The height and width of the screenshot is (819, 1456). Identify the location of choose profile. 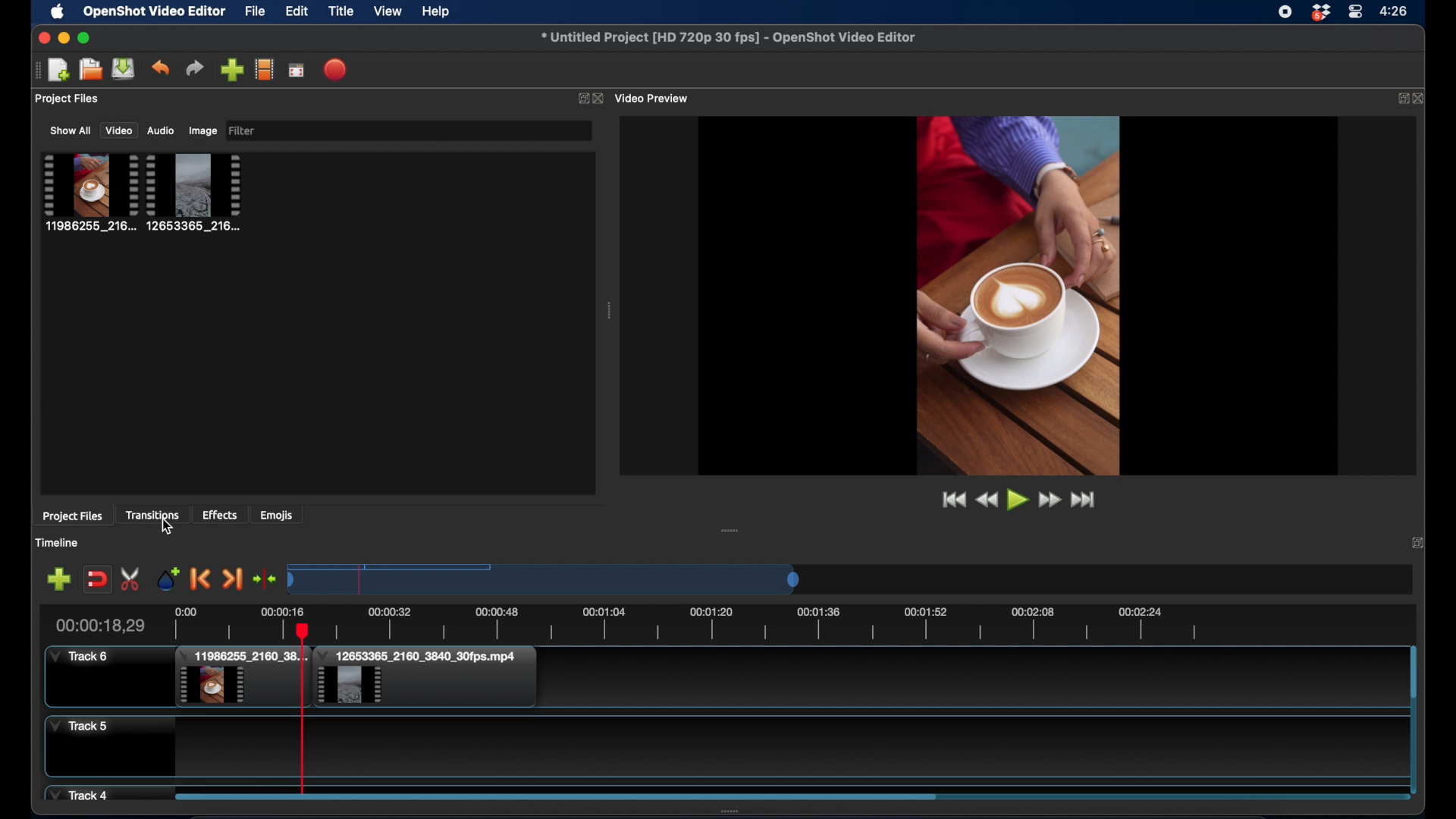
(264, 69).